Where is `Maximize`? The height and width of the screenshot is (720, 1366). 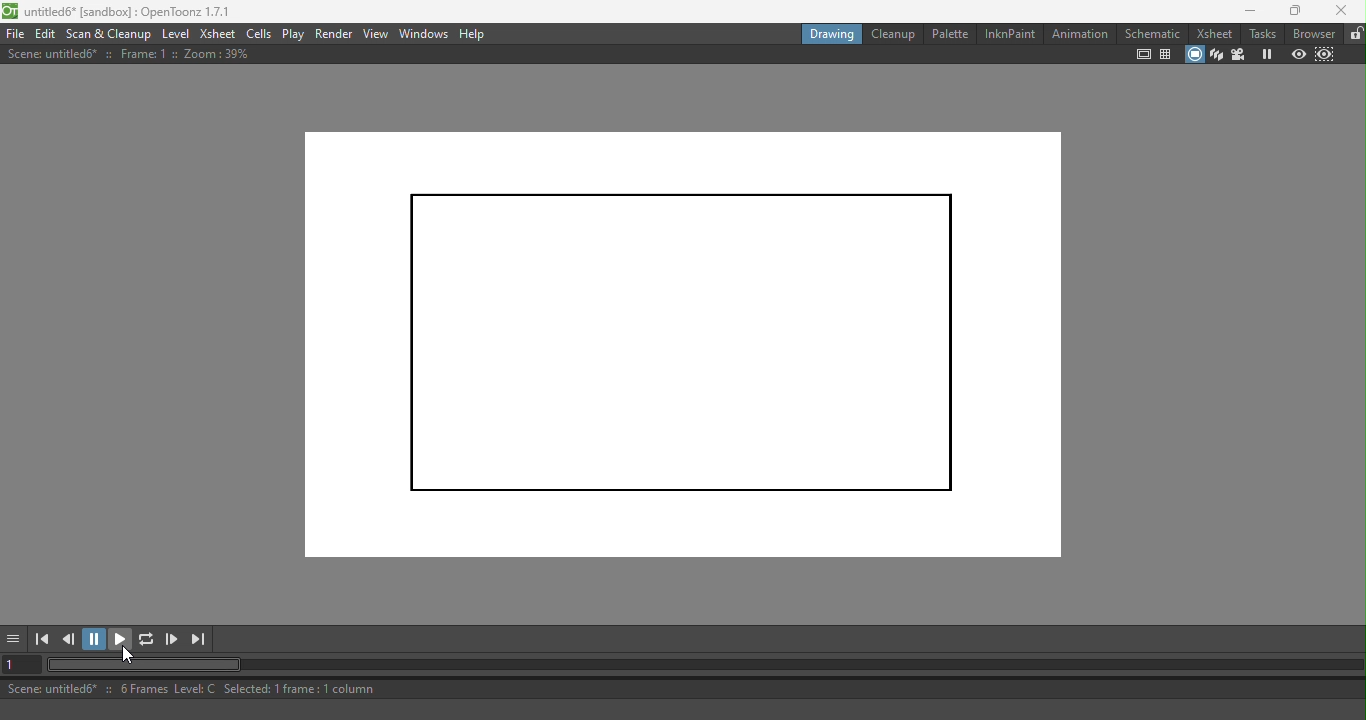 Maximize is located at coordinates (1289, 9).